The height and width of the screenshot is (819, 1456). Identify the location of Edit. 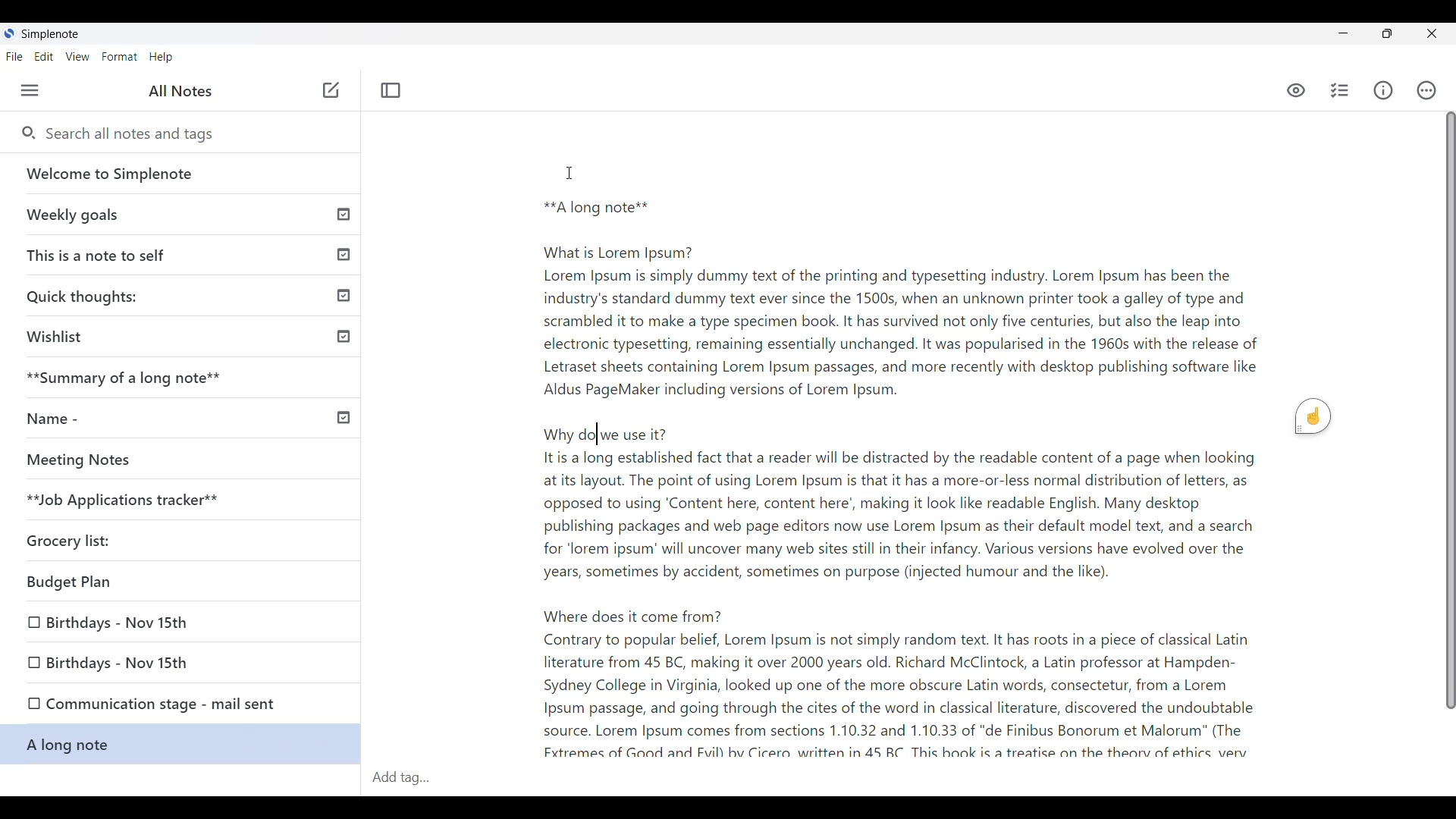
(44, 57).